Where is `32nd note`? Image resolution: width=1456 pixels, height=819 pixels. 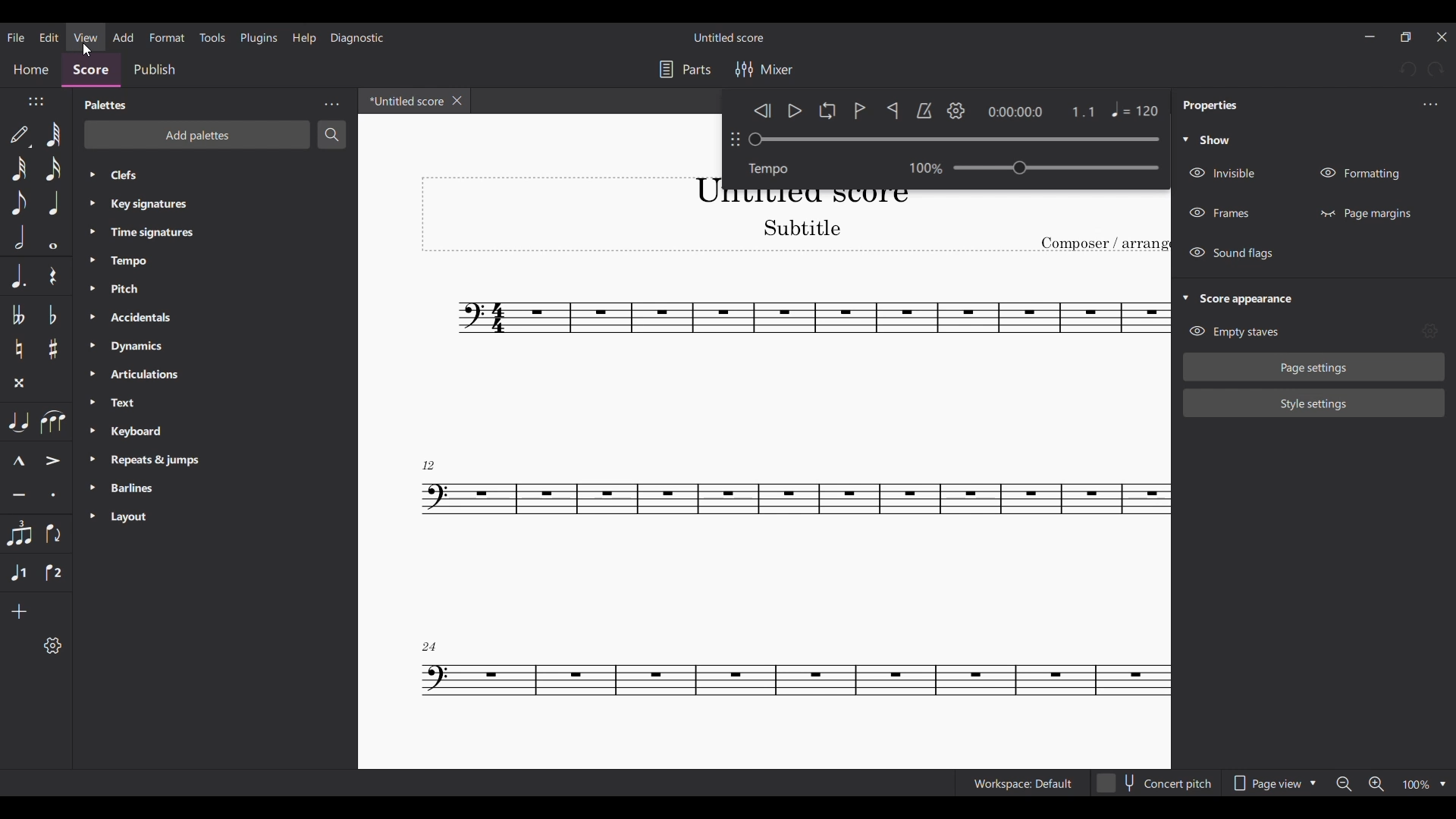 32nd note is located at coordinates (18, 168).